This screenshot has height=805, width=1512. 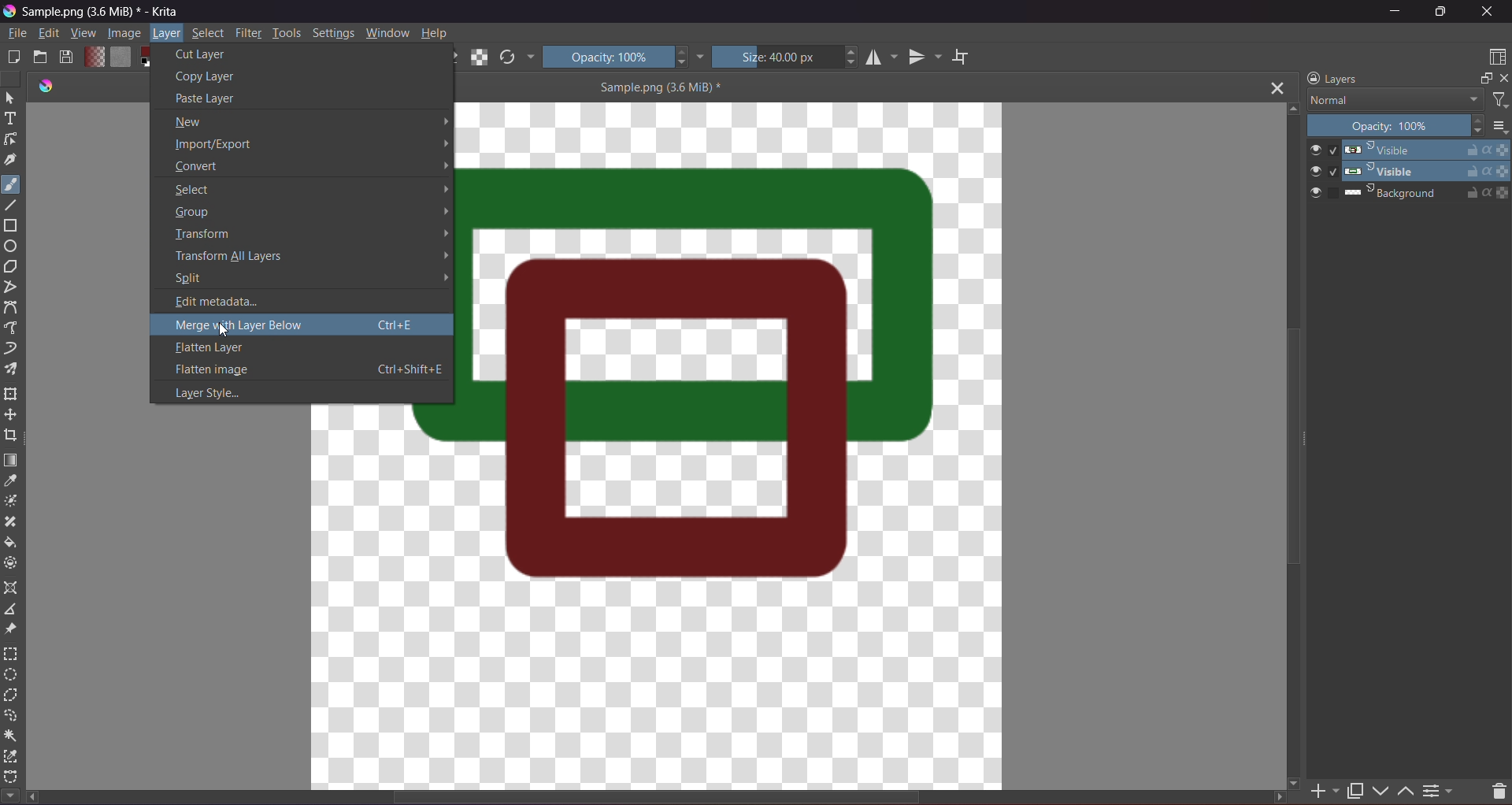 What do you see at coordinates (1410, 193) in the screenshot?
I see `Background` at bounding box center [1410, 193].